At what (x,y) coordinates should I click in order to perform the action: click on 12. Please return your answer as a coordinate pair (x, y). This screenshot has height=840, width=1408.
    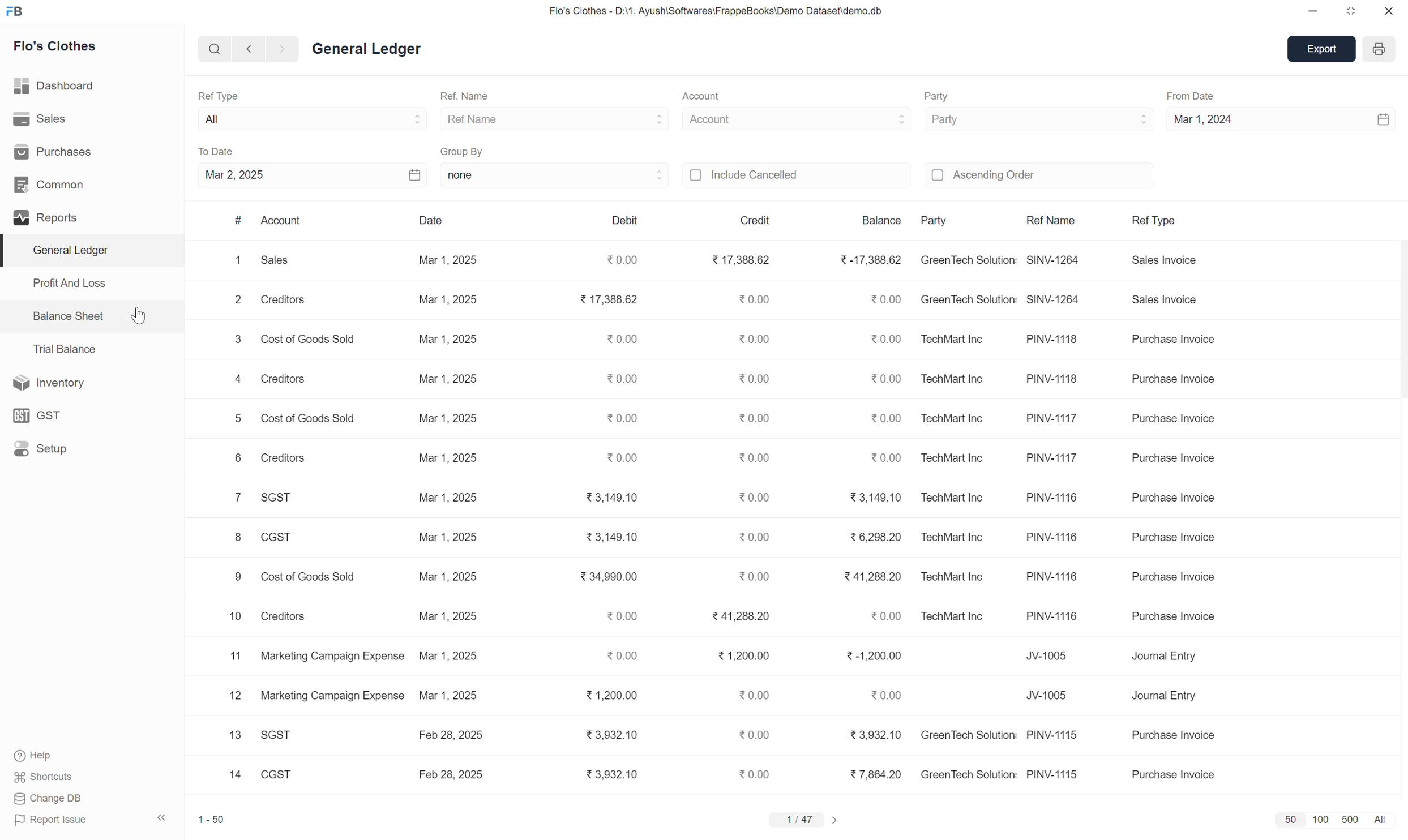
    Looking at the image, I should click on (236, 696).